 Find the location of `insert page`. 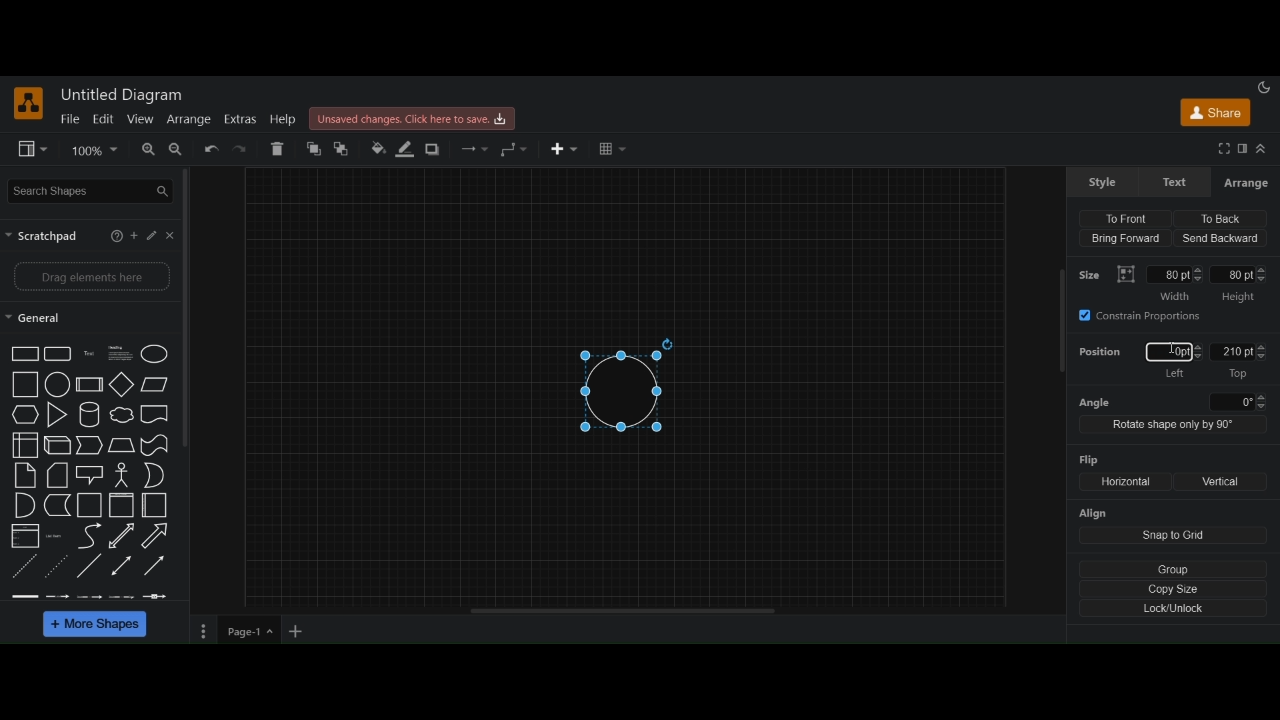

insert page is located at coordinates (297, 633).